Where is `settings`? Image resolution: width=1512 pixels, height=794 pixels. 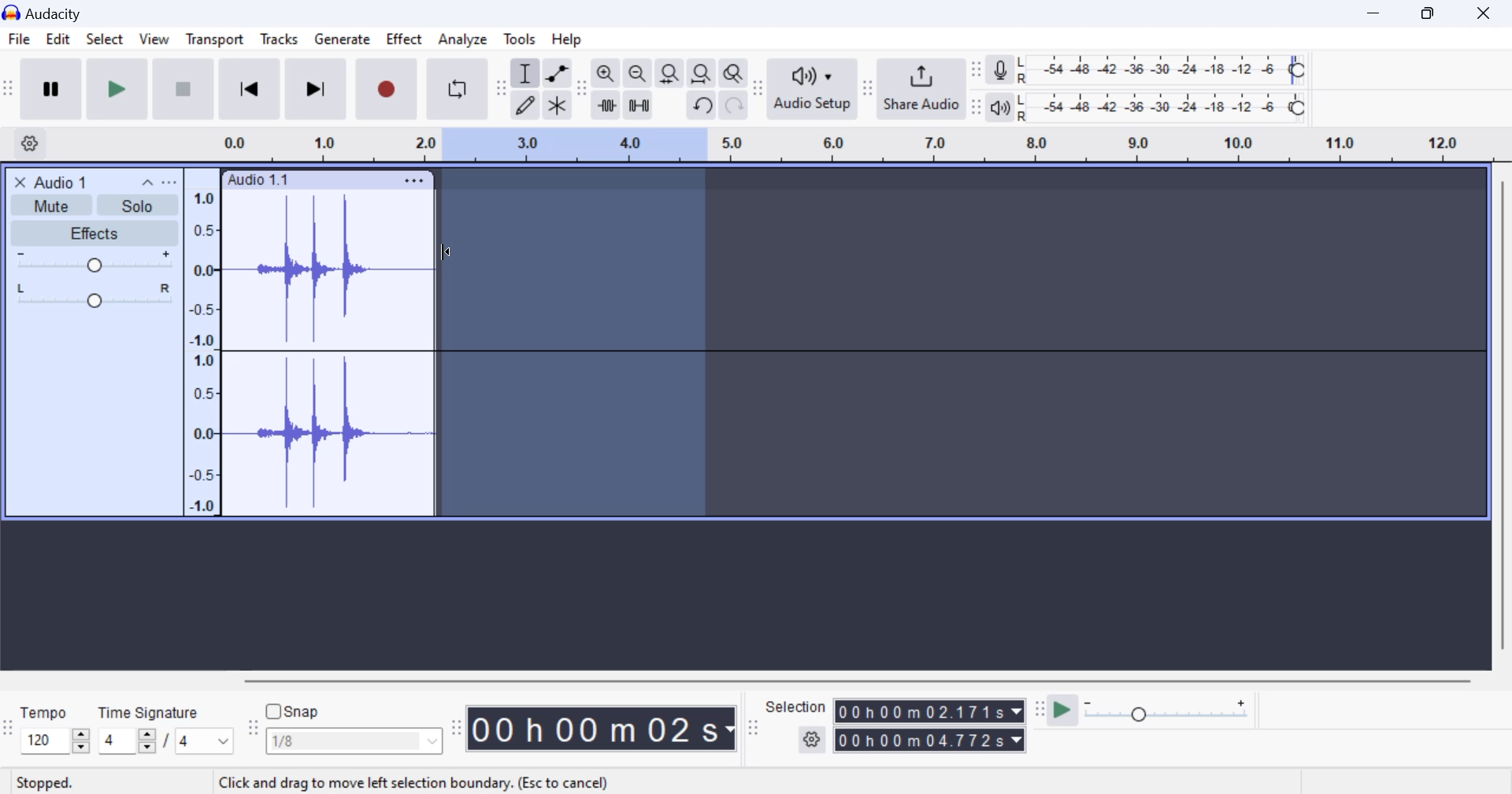
settings is located at coordinates (813, 740).